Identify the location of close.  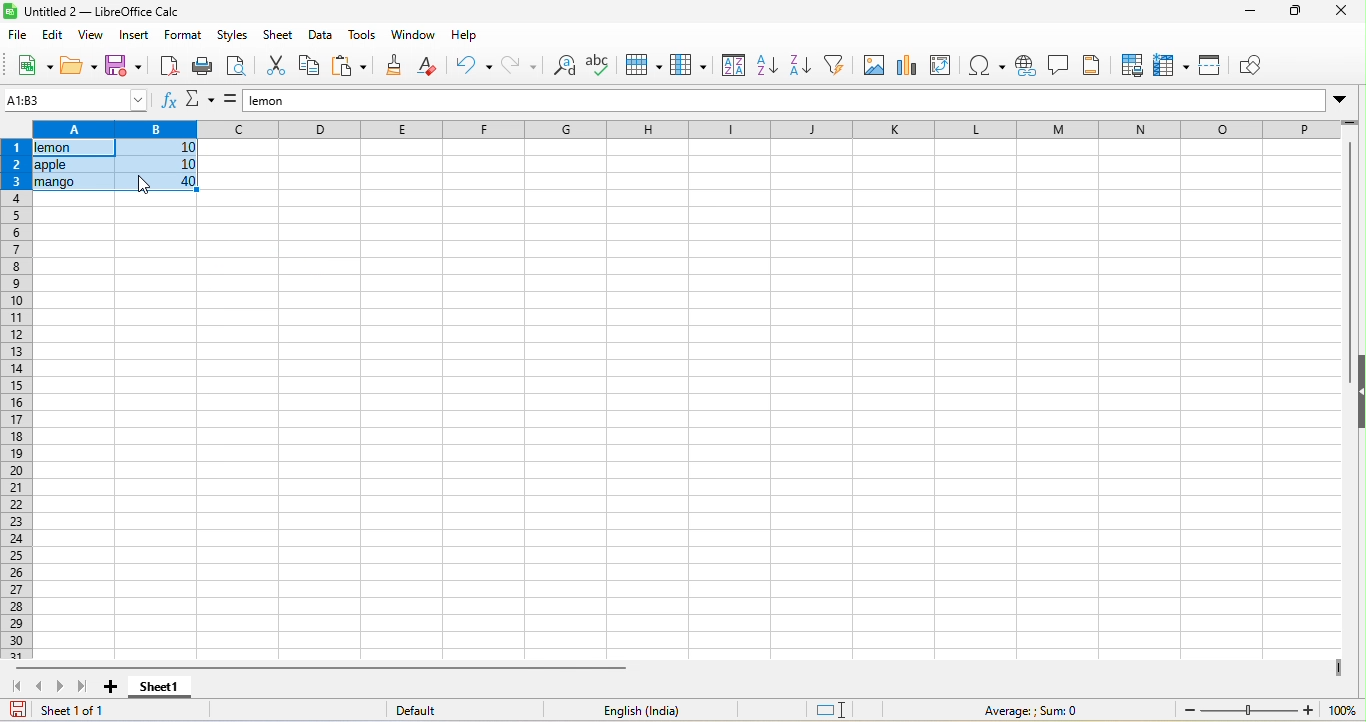
(1337, 13).